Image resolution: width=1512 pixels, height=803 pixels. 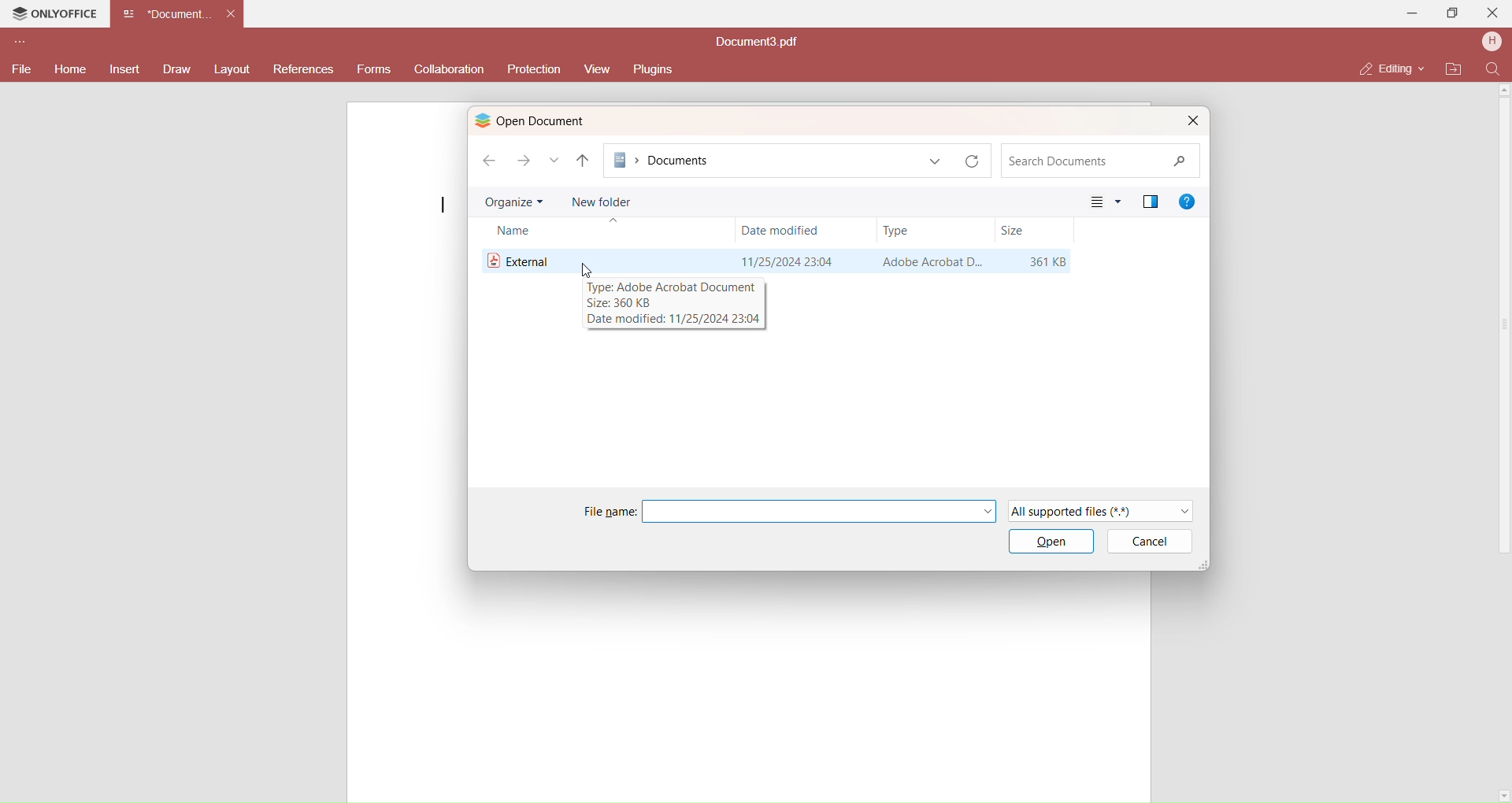 I want to click on Cursor, so click(x=584, y=268).